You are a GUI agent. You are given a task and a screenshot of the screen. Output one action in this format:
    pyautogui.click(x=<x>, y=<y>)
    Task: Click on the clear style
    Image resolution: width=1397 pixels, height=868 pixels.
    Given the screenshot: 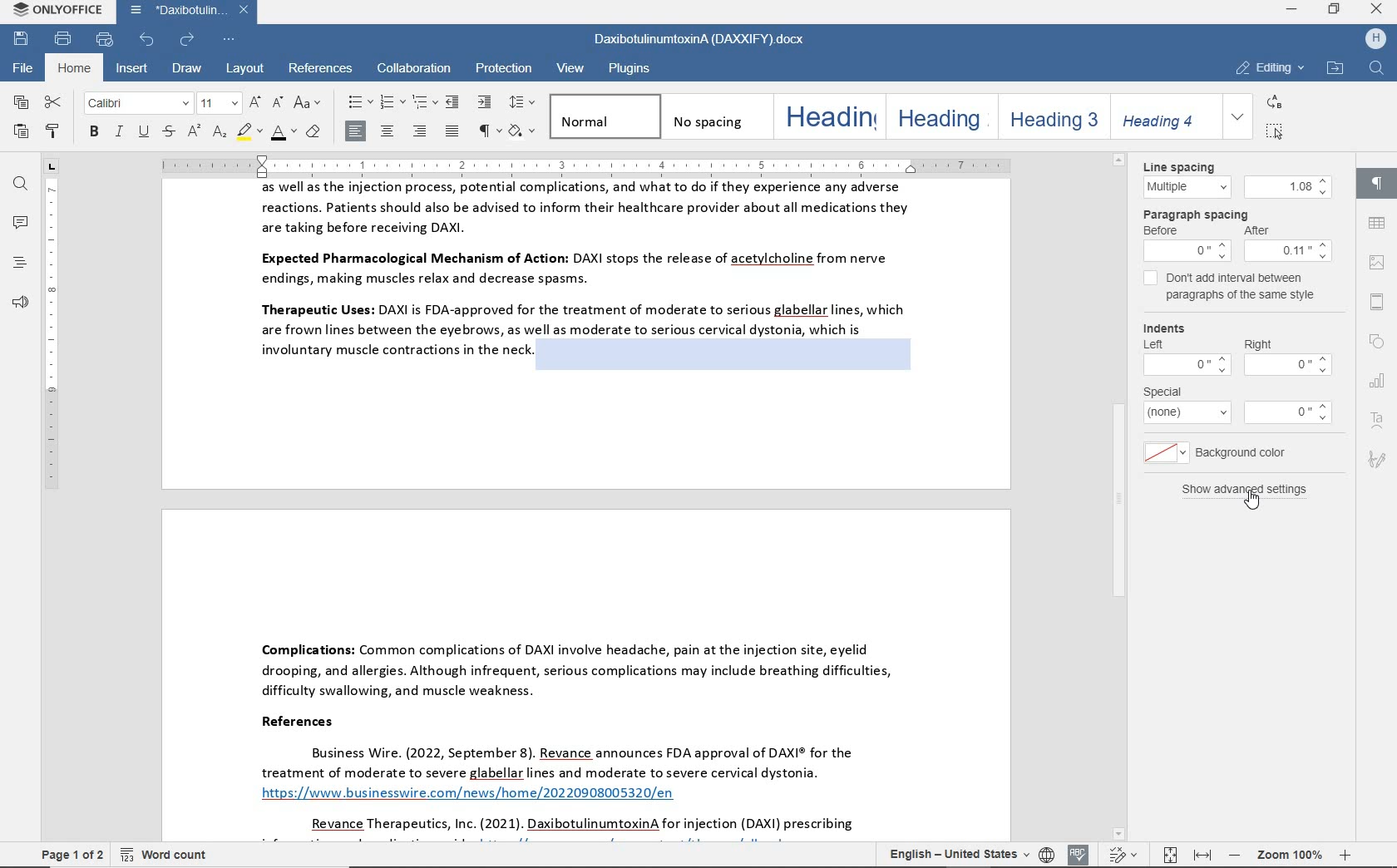 What is the action you would take?
    pyautogui.click(x=313, y=134)
    